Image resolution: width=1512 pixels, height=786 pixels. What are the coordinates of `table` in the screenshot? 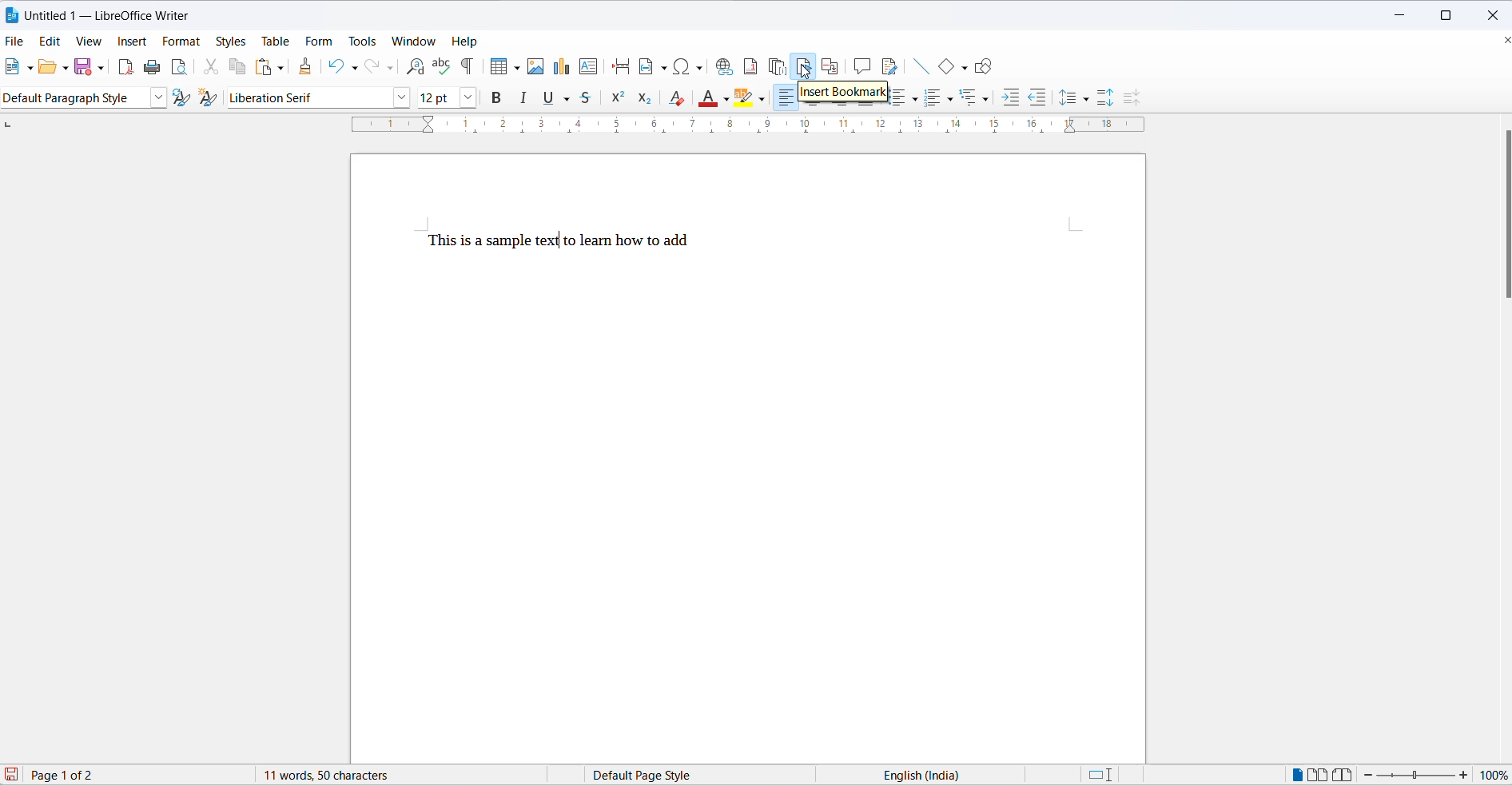 It's located at (276, 41).